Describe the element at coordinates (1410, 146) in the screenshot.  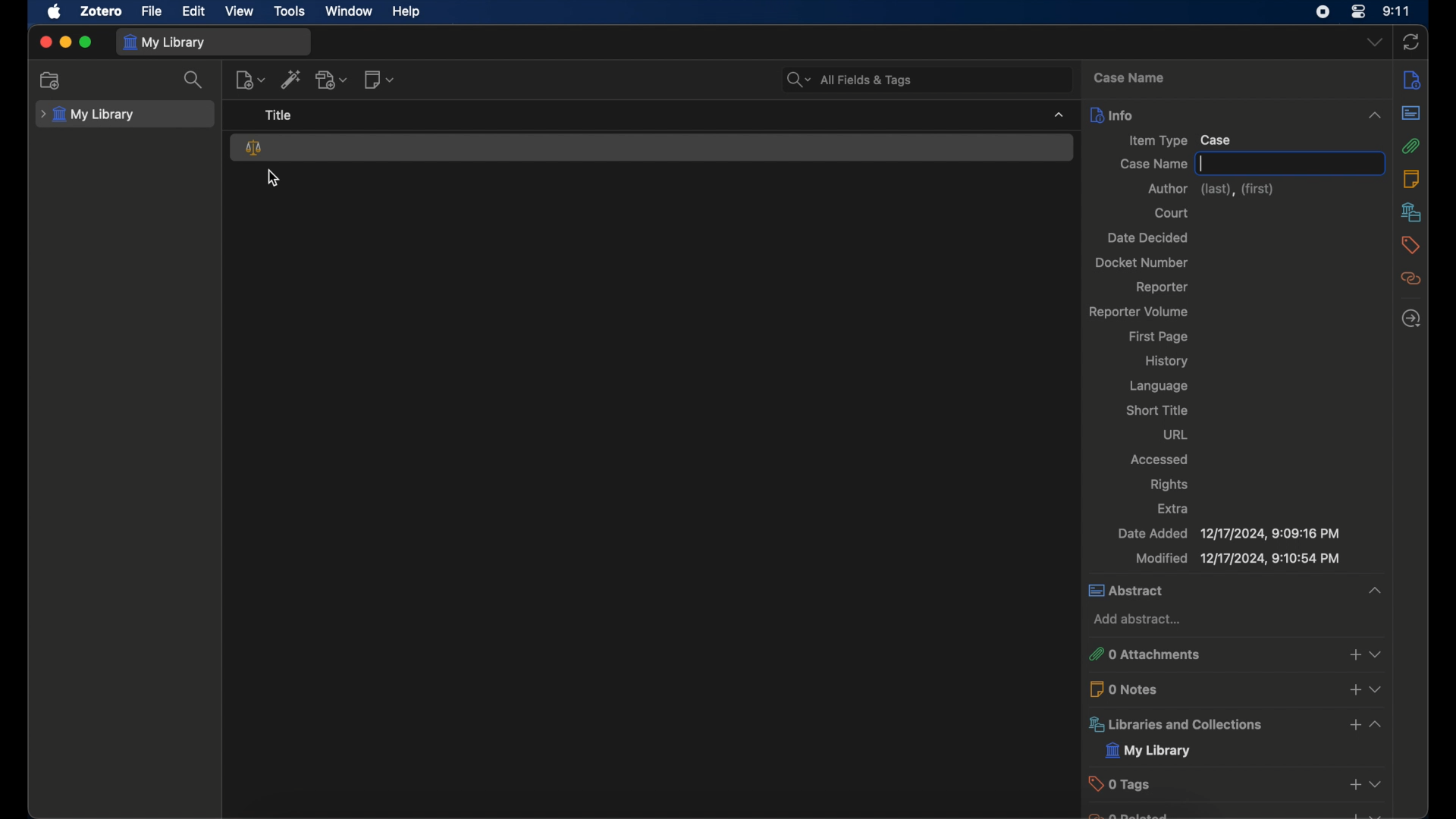
I see `attachments` at that location.